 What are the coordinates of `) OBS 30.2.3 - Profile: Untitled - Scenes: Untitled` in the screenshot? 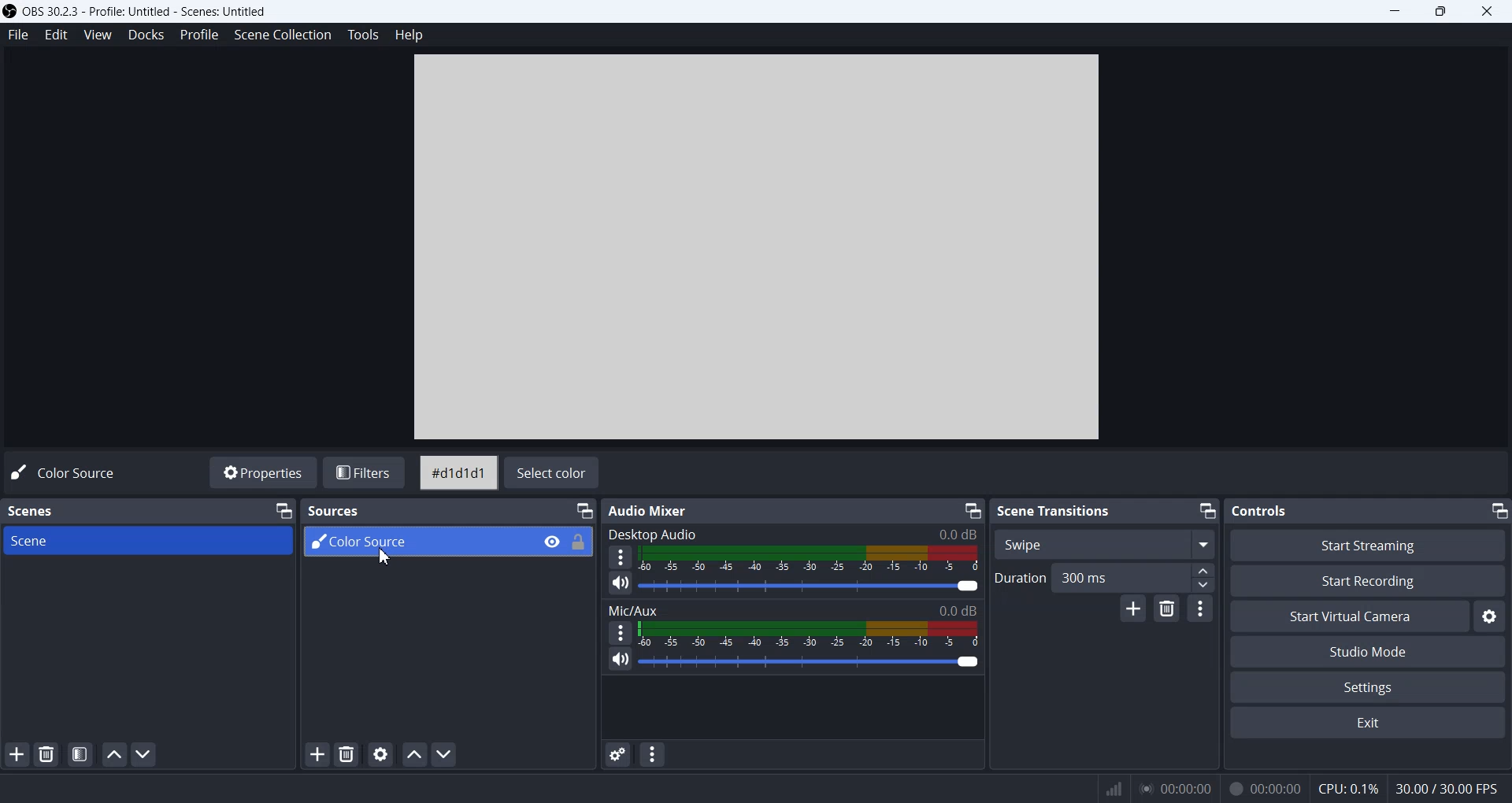 It's located at (142, 10).